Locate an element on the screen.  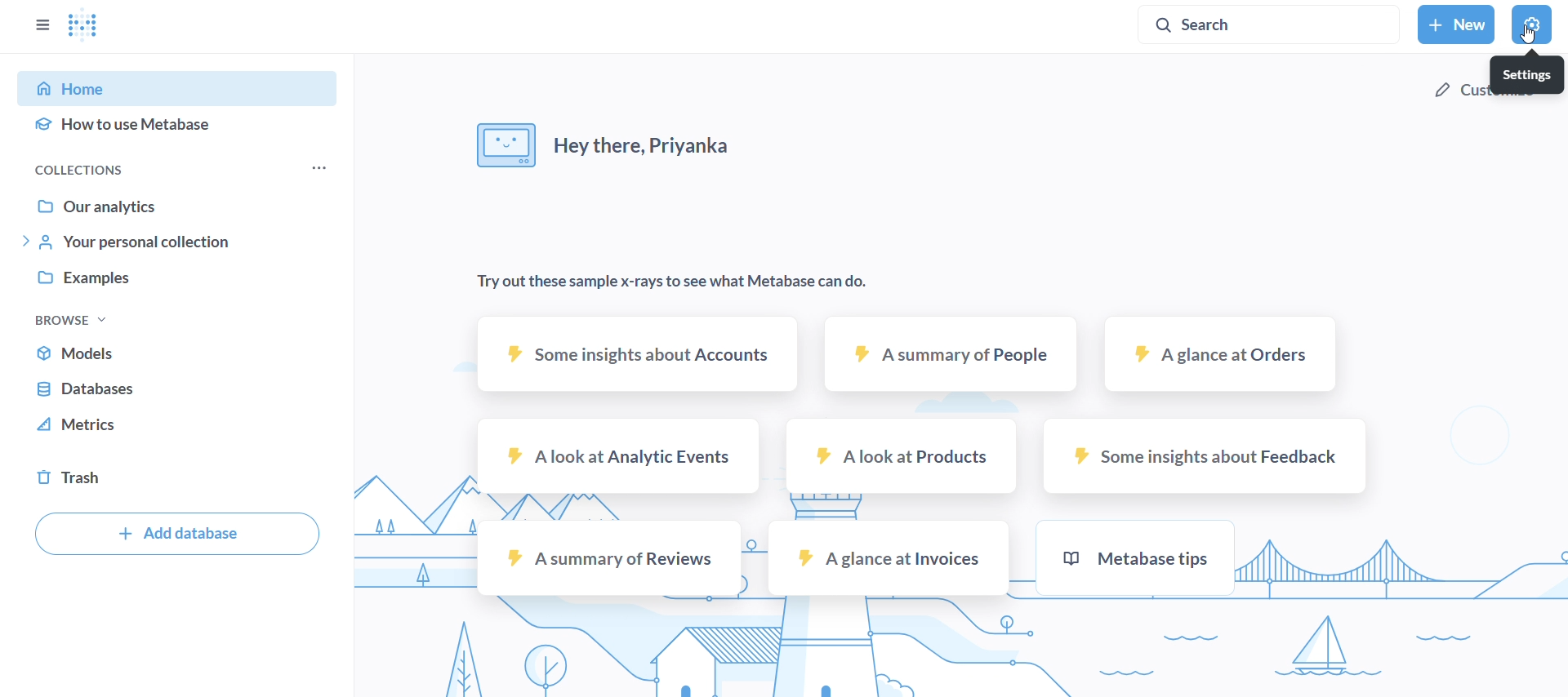
a glance at orders is located at coordinates (1225, 353).